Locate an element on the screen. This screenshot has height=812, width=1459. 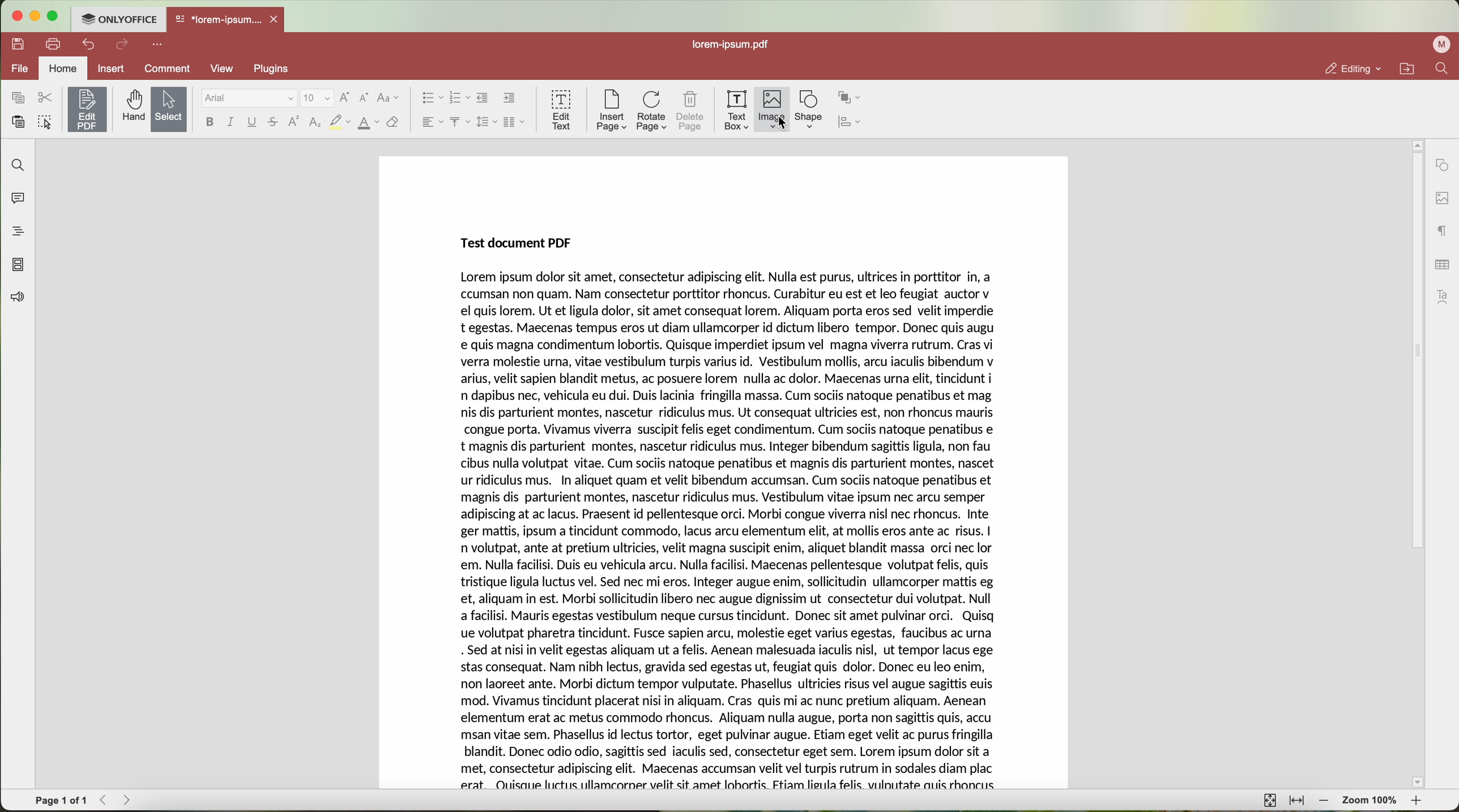
lorem-ipsum.pdf is located at coordinates (735, 44).